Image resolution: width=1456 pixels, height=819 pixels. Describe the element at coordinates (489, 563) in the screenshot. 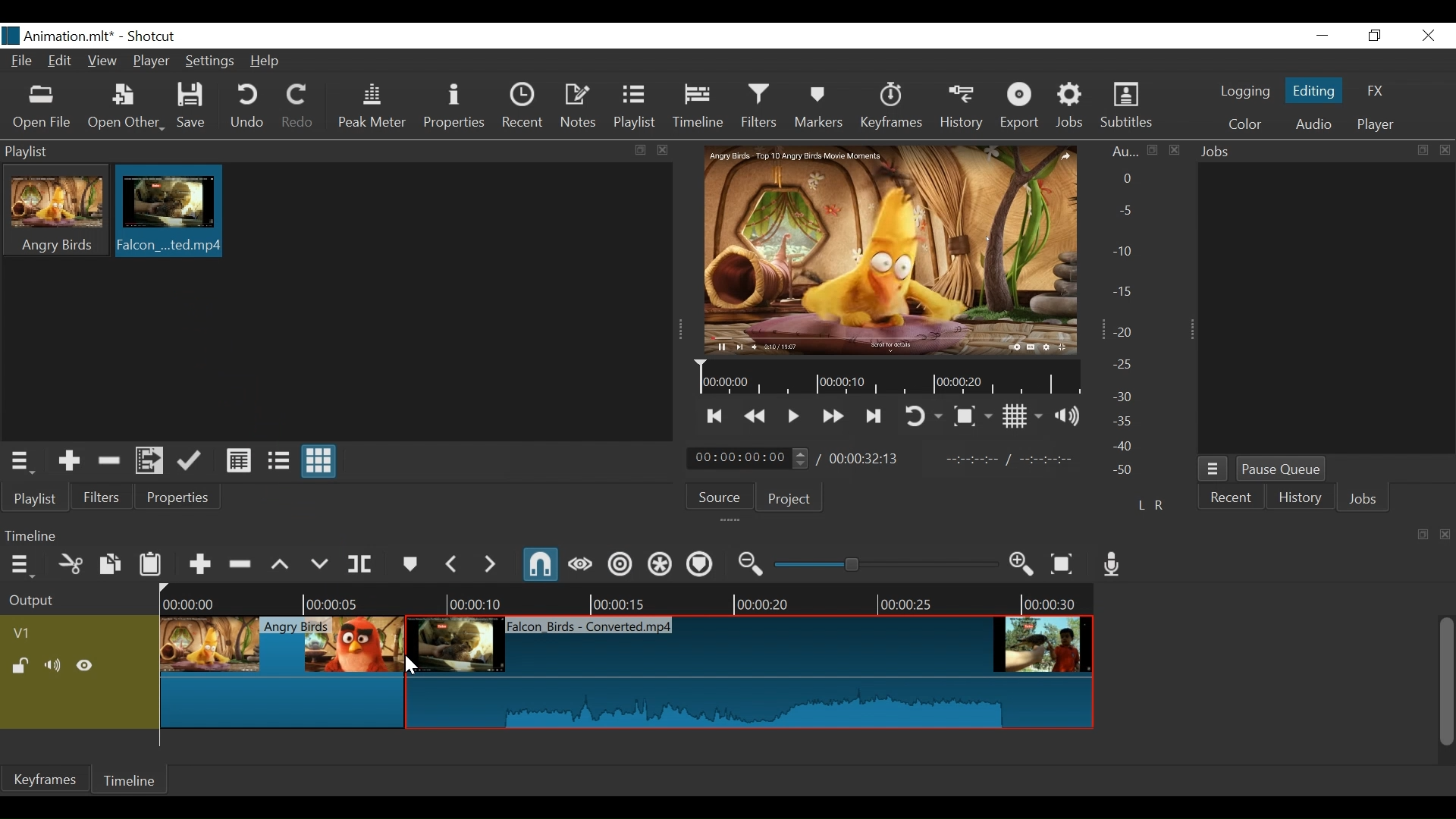

I see `Next Marker` at that location.